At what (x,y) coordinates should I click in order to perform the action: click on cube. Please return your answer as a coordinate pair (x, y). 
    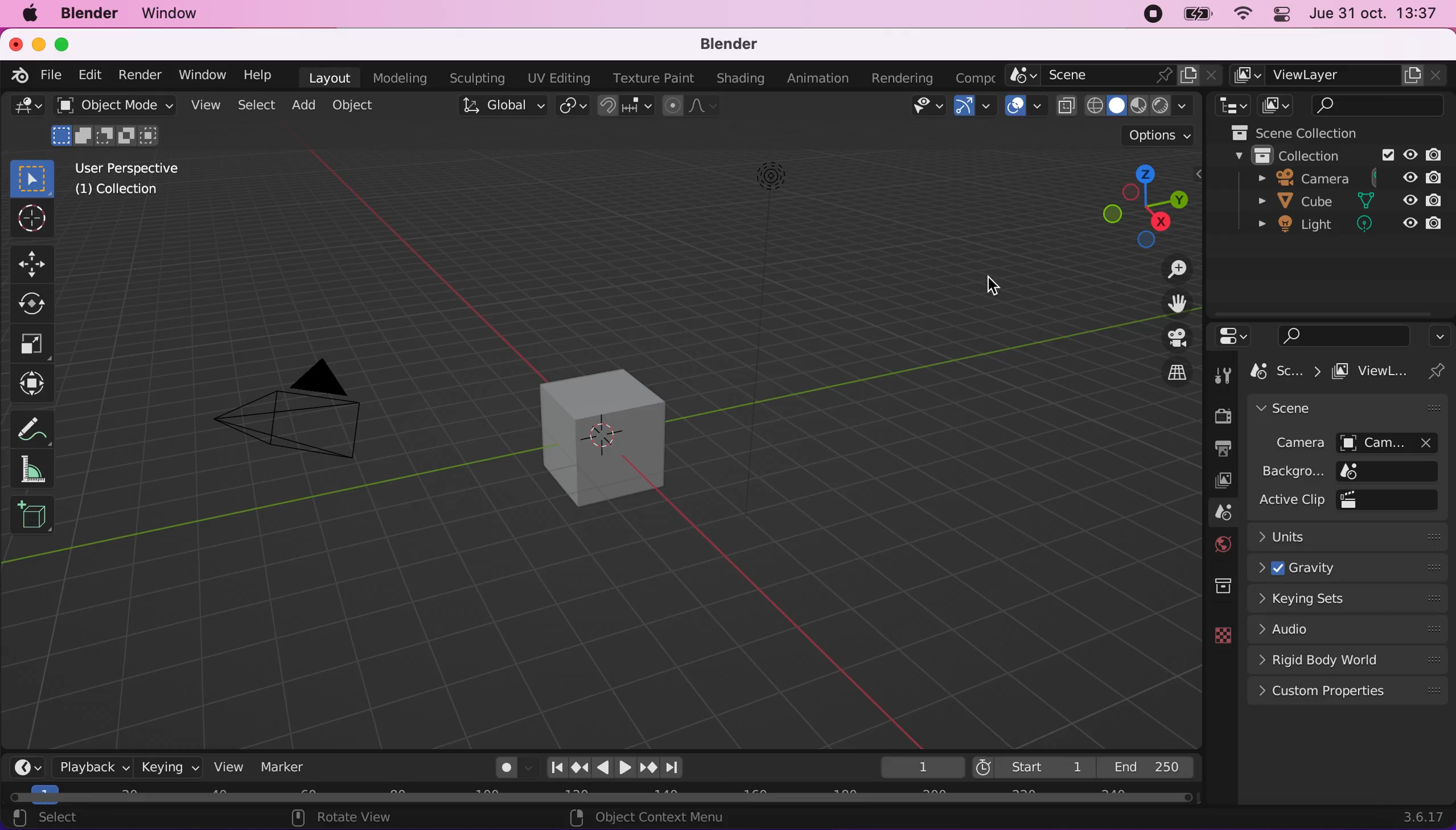
    Looking at the image, I should click on (596, 435).